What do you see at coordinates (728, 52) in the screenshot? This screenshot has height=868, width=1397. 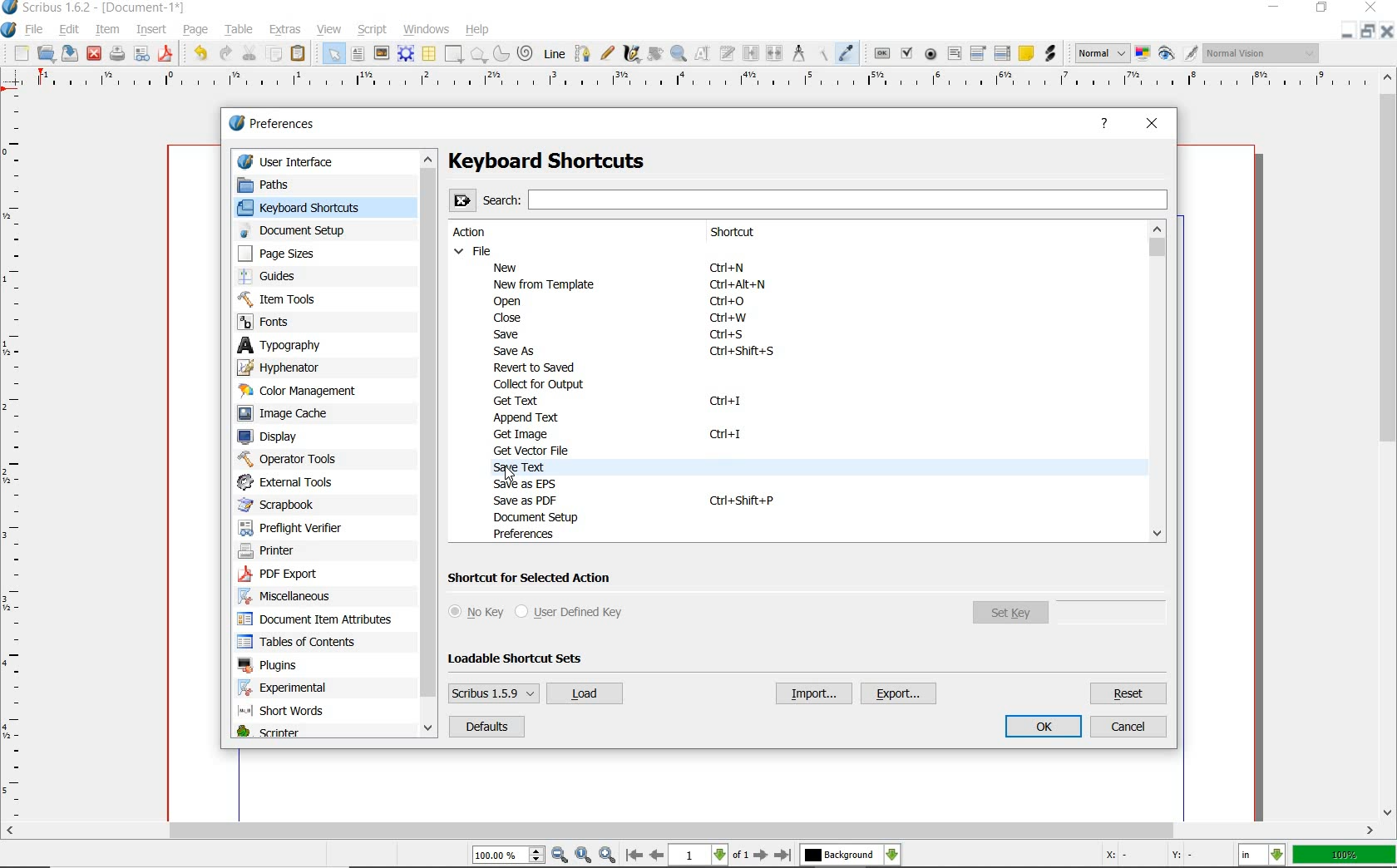 I see `edit text with story editor` at bounding box center [728, 52].